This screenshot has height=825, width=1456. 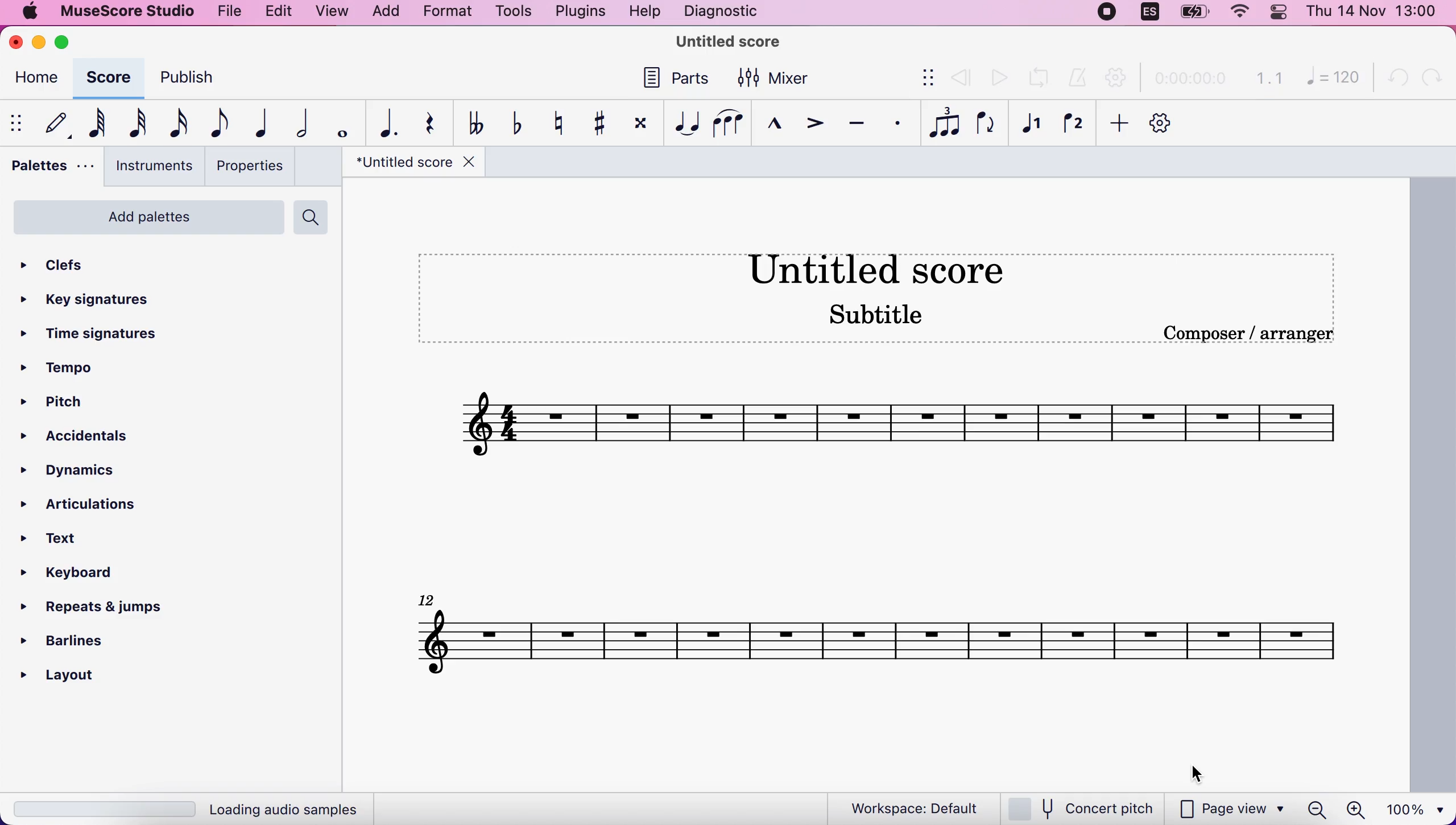 What do you see at coordinates (56, 266) in the screenshot?
I see `clefs` at bounding box center [56, 266].